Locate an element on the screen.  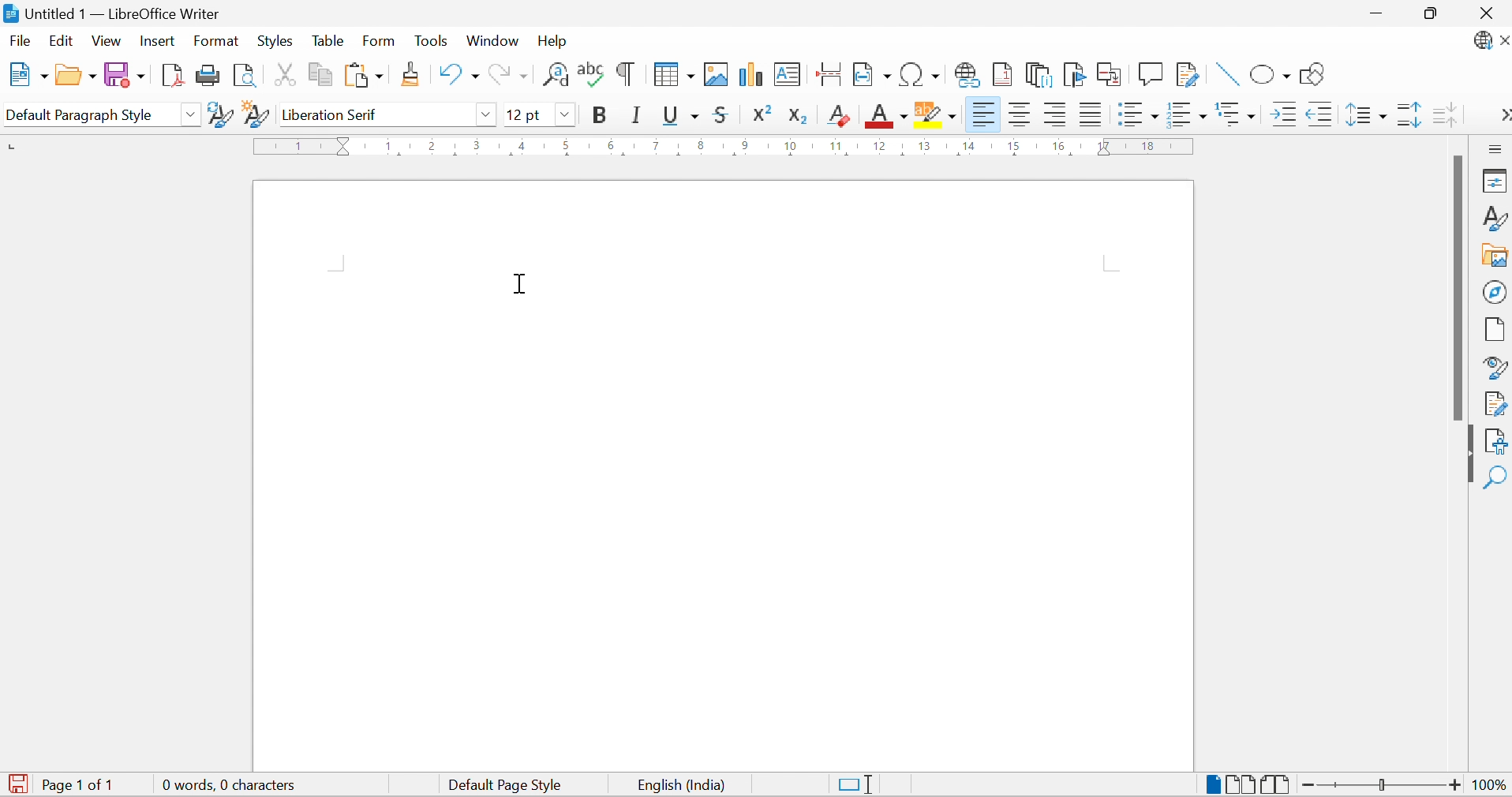
5 is located at coordinates (566, 146).